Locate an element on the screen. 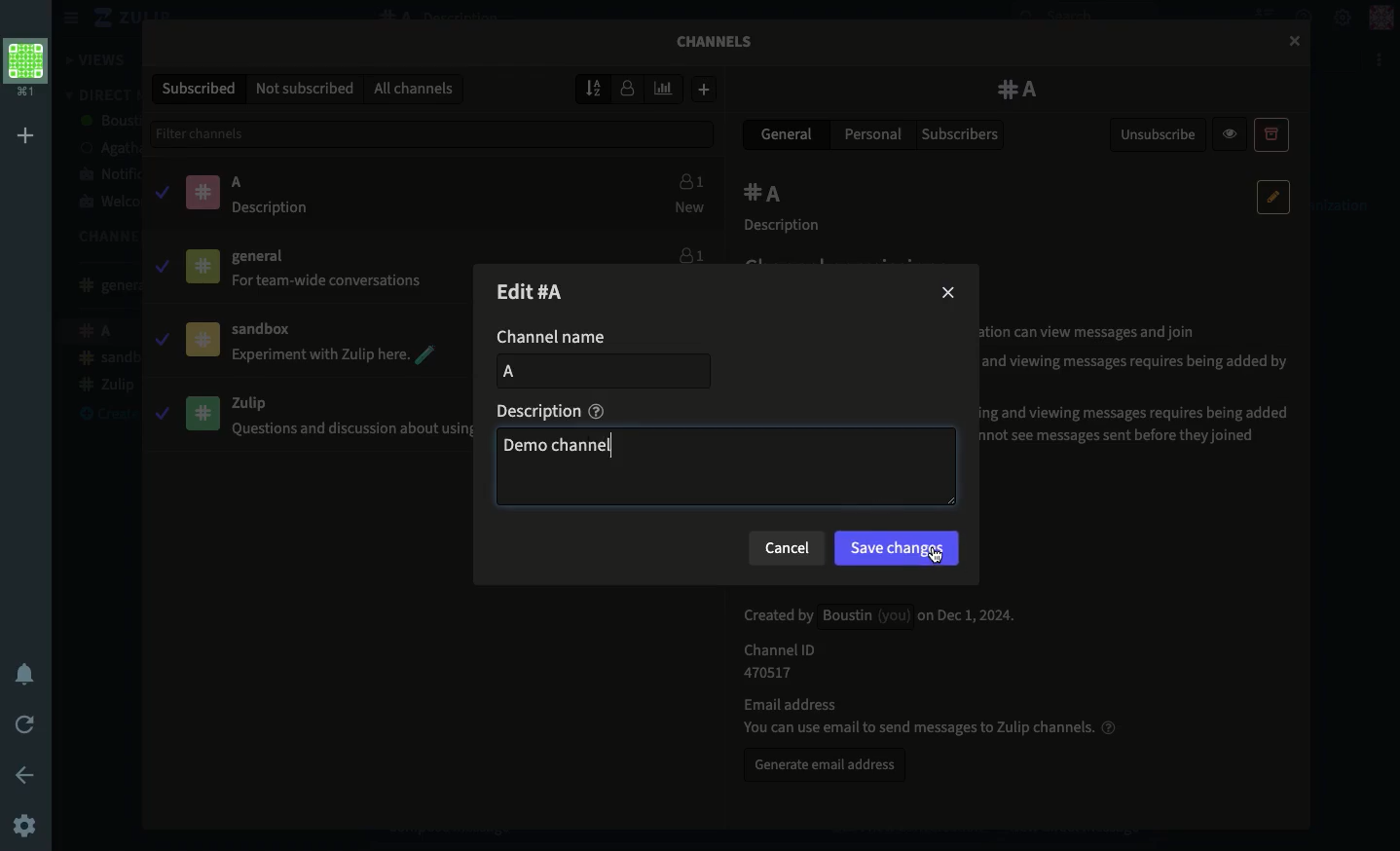  agatha is located at coordinates (106, 148).